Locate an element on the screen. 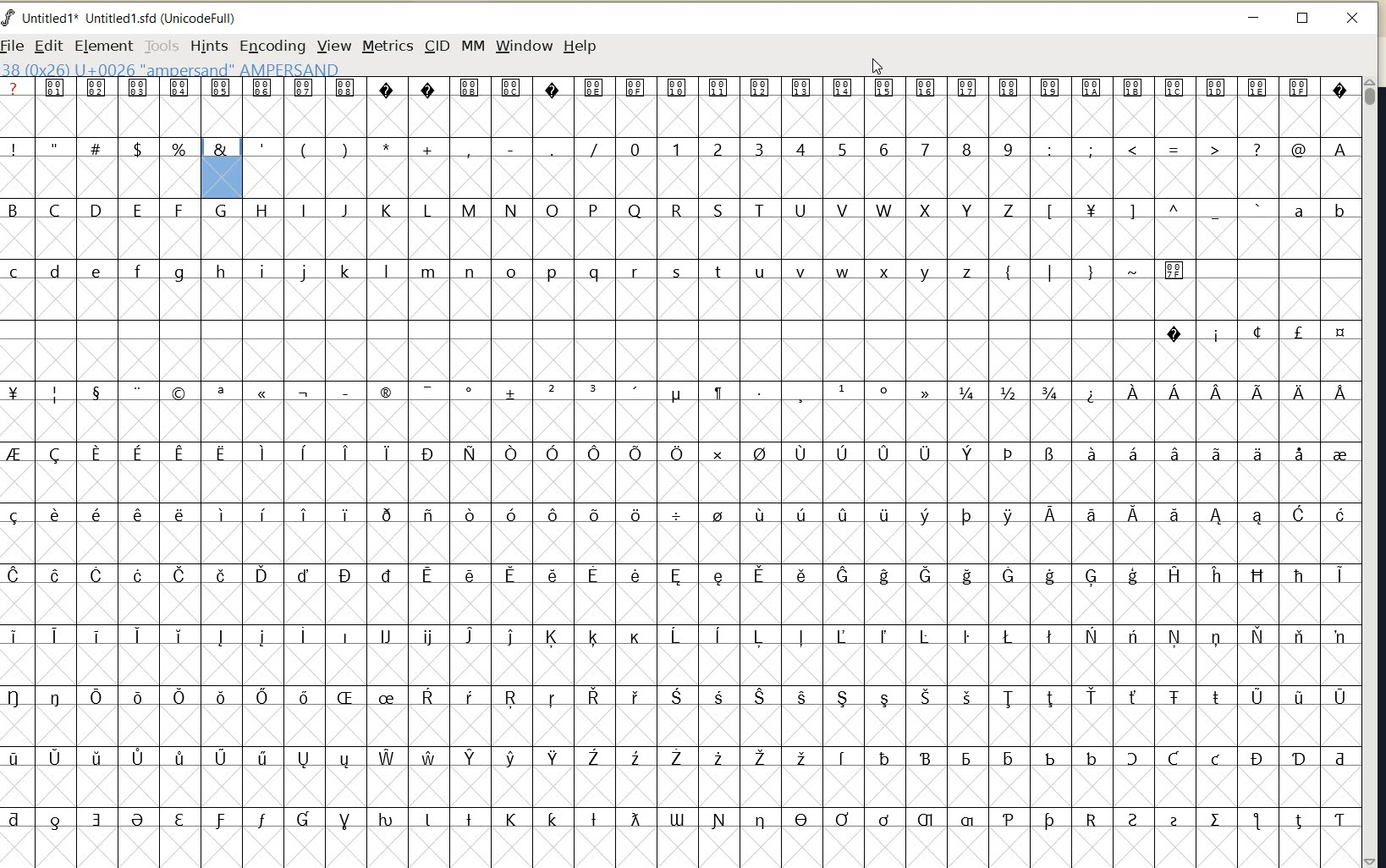 The image size is (1386, 868). WINDOW is located at coordinates (525, 46).